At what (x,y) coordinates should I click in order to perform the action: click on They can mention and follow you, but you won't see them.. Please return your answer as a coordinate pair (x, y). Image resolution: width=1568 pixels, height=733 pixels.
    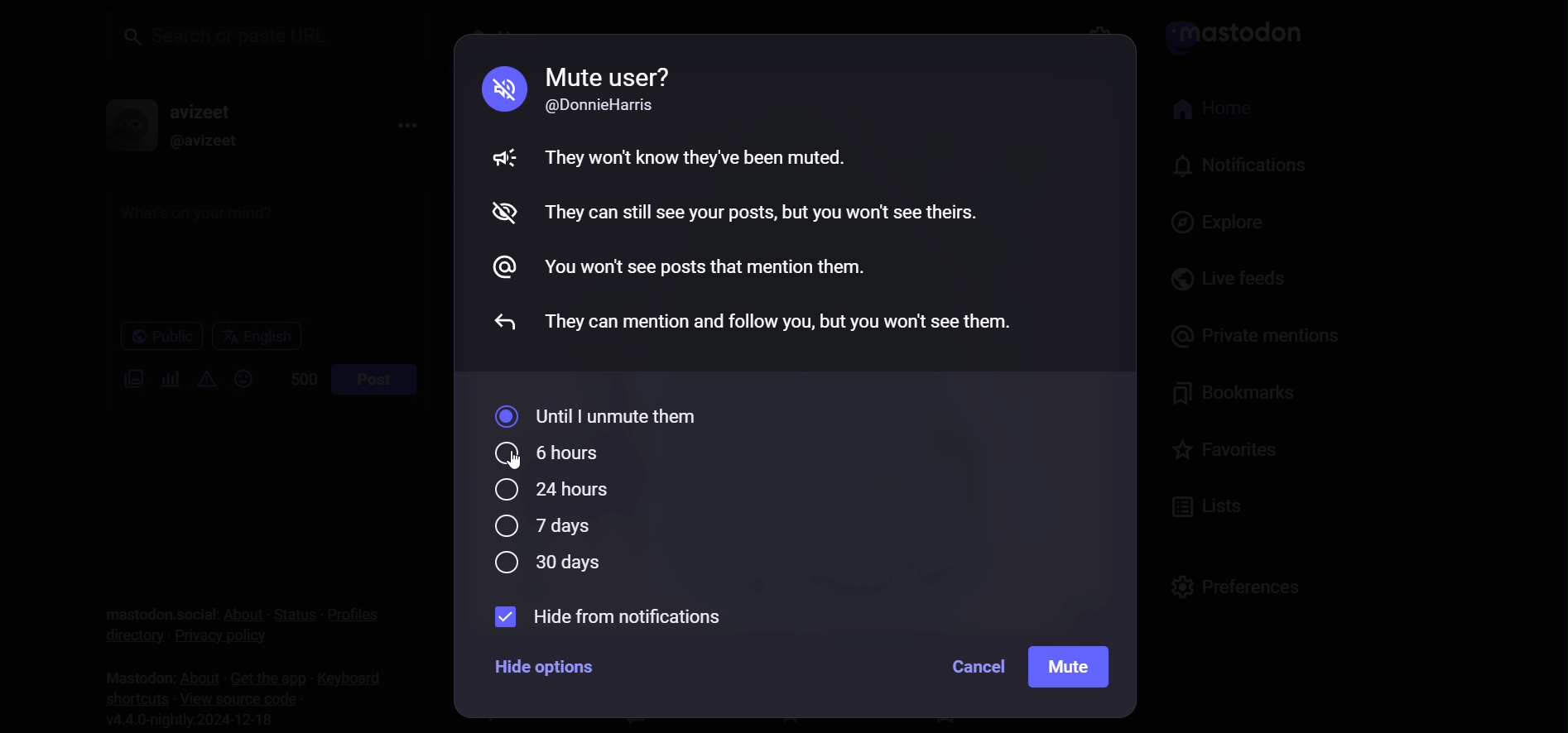
    Looking at the image, I should click on (784, 319).